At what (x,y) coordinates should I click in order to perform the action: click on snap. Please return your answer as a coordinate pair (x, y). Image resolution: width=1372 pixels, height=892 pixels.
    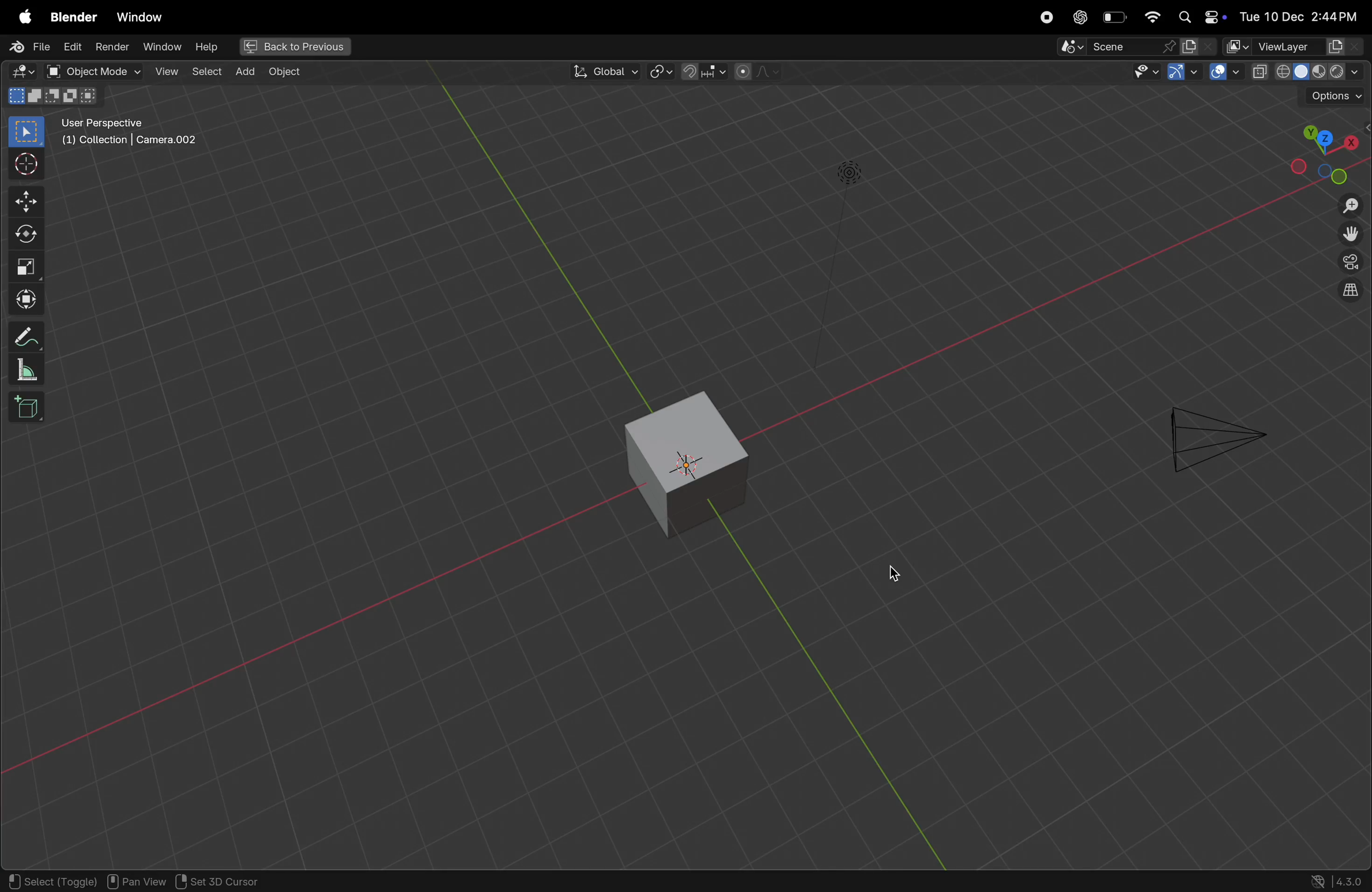
    Looking at the image, I should click on (704, 71).